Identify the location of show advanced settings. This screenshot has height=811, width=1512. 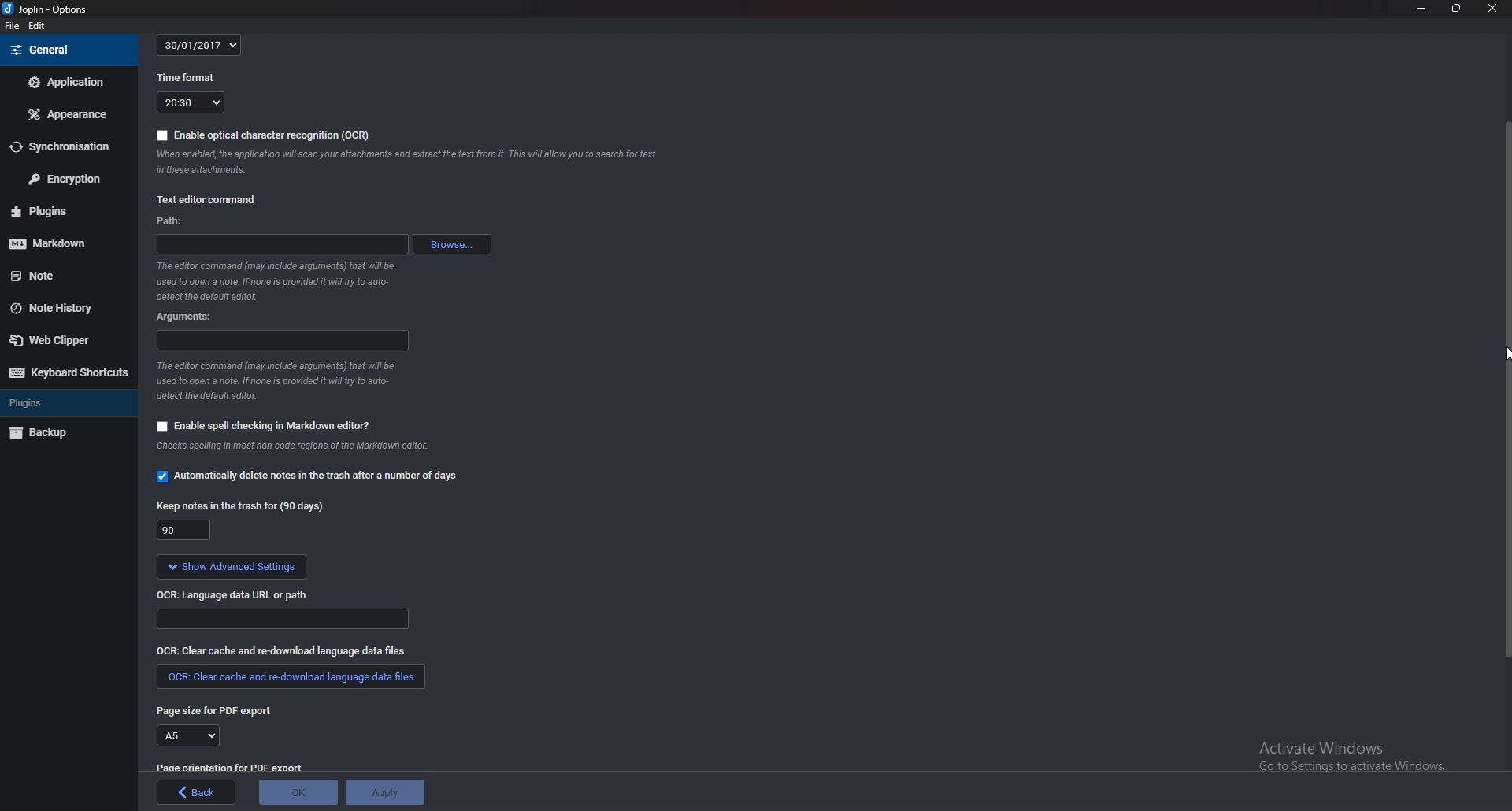
(233, 567).